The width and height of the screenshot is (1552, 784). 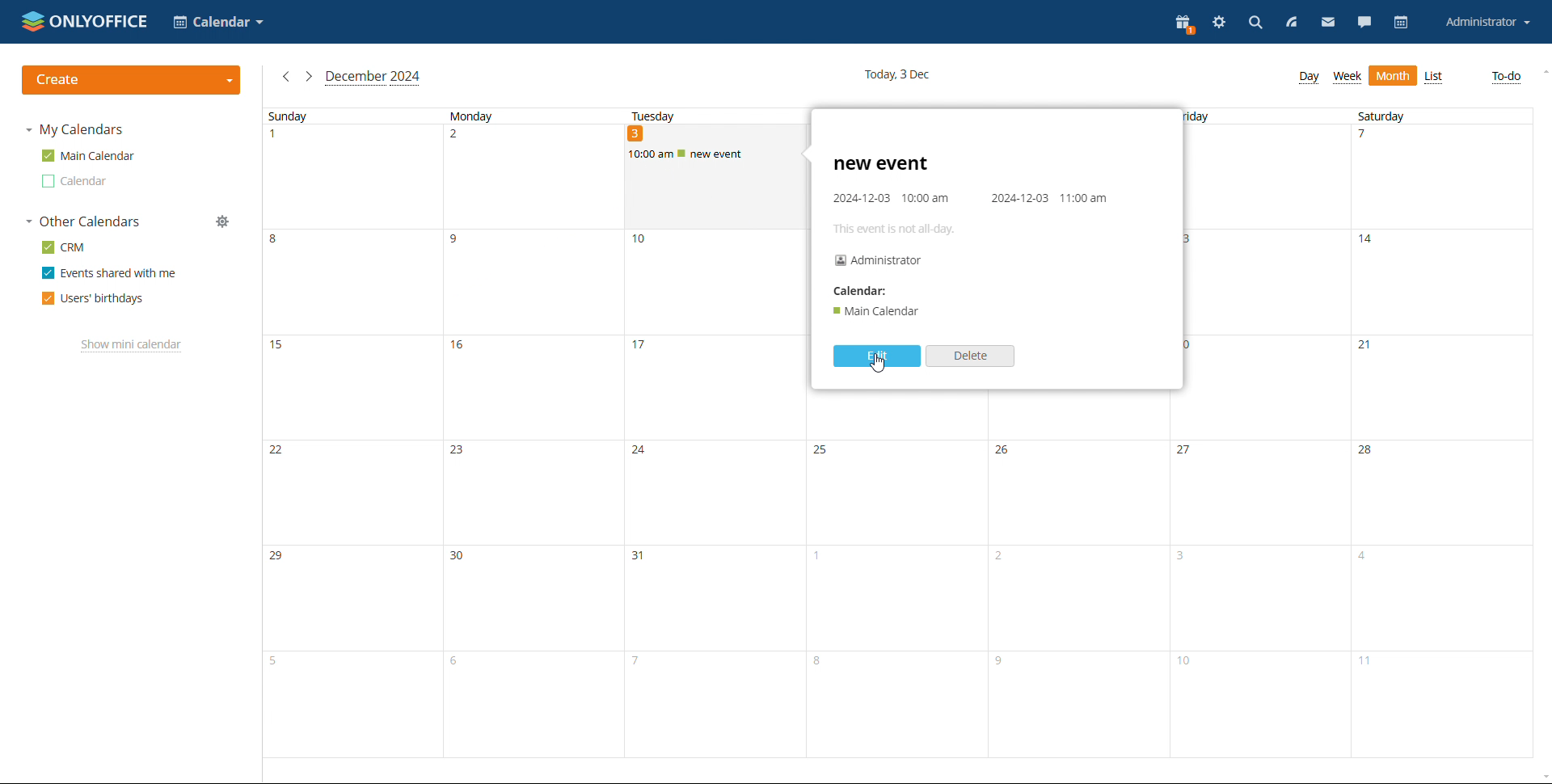 I want to click on 11, so click(x=1443, y=703).